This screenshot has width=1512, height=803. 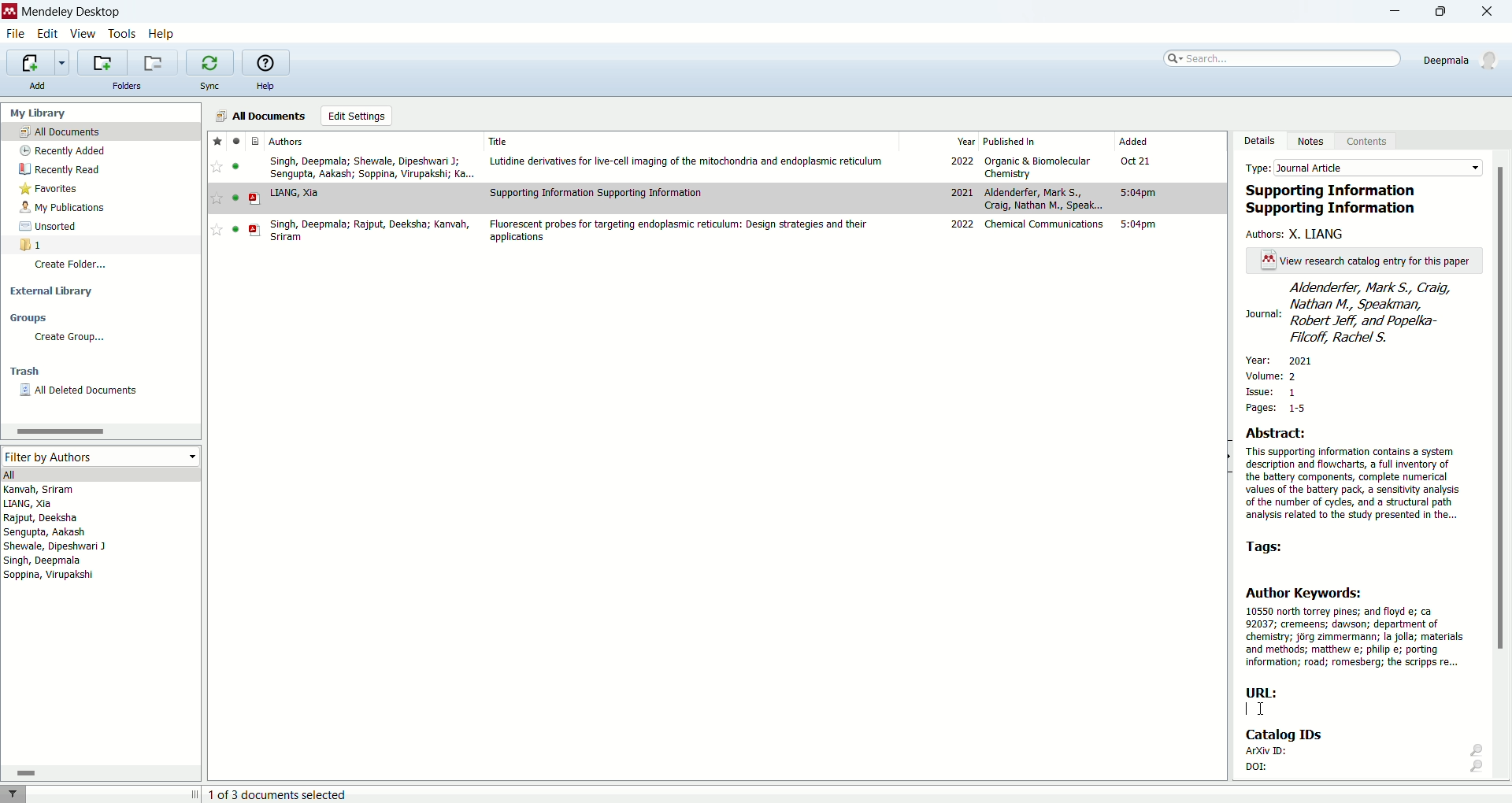 I want to click on tags: , so click(x=1272, y=546).